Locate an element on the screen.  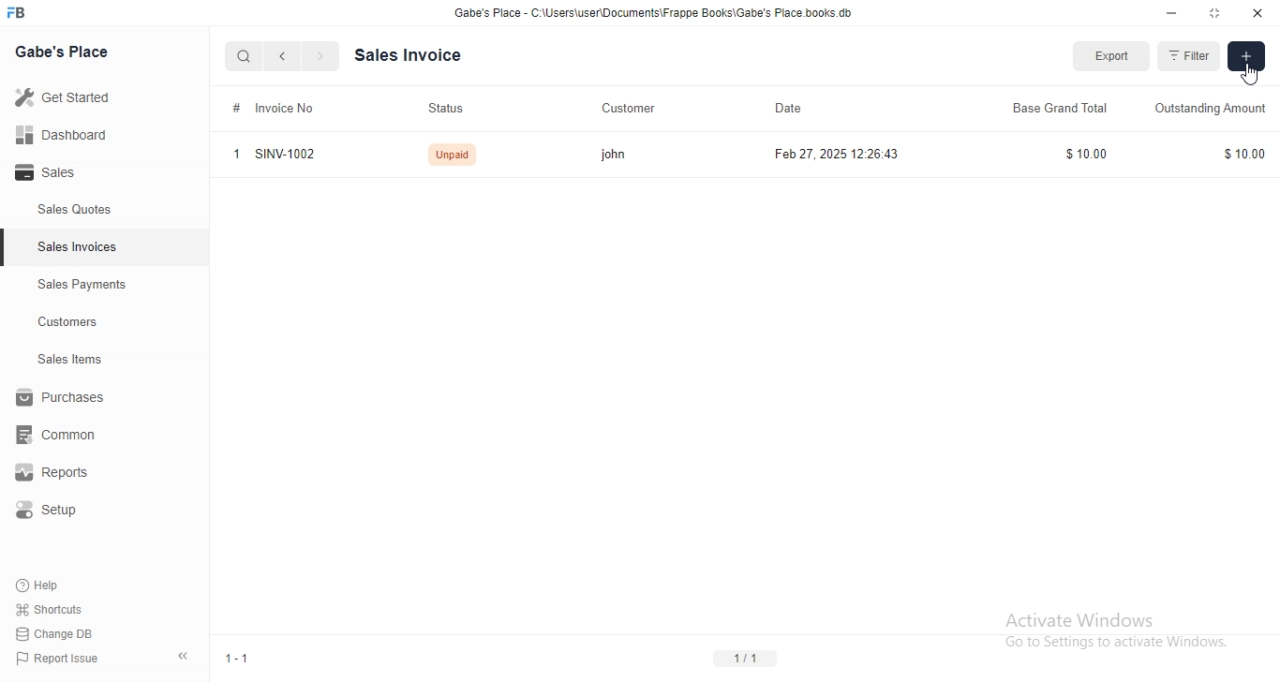
Setup is located at coordinates (57, 513).